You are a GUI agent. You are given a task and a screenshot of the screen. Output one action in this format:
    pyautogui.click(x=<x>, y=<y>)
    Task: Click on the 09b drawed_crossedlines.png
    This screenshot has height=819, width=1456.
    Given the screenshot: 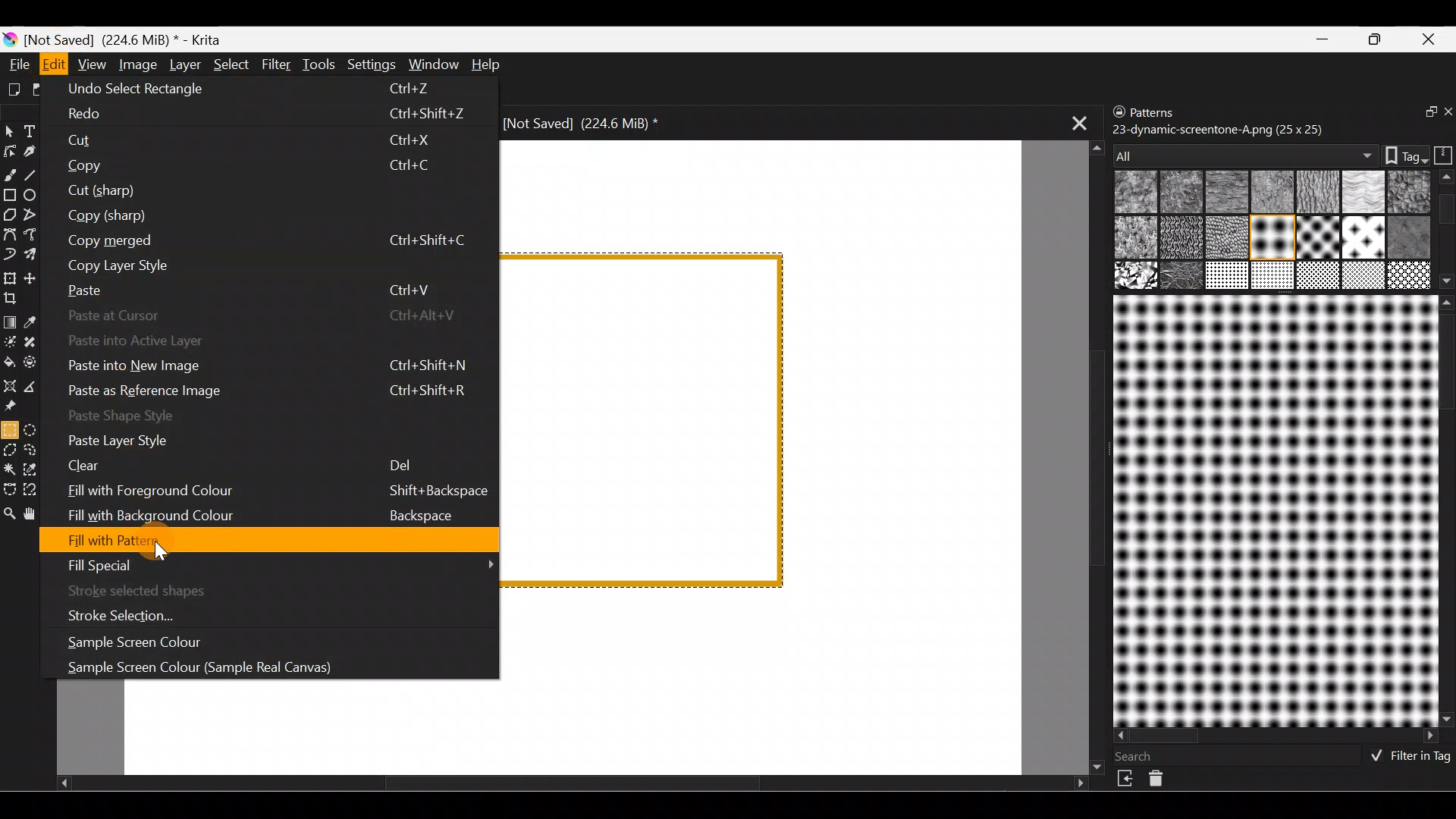 What is the action you would take?
    pyautogui.click(x=1225, y=237)
    